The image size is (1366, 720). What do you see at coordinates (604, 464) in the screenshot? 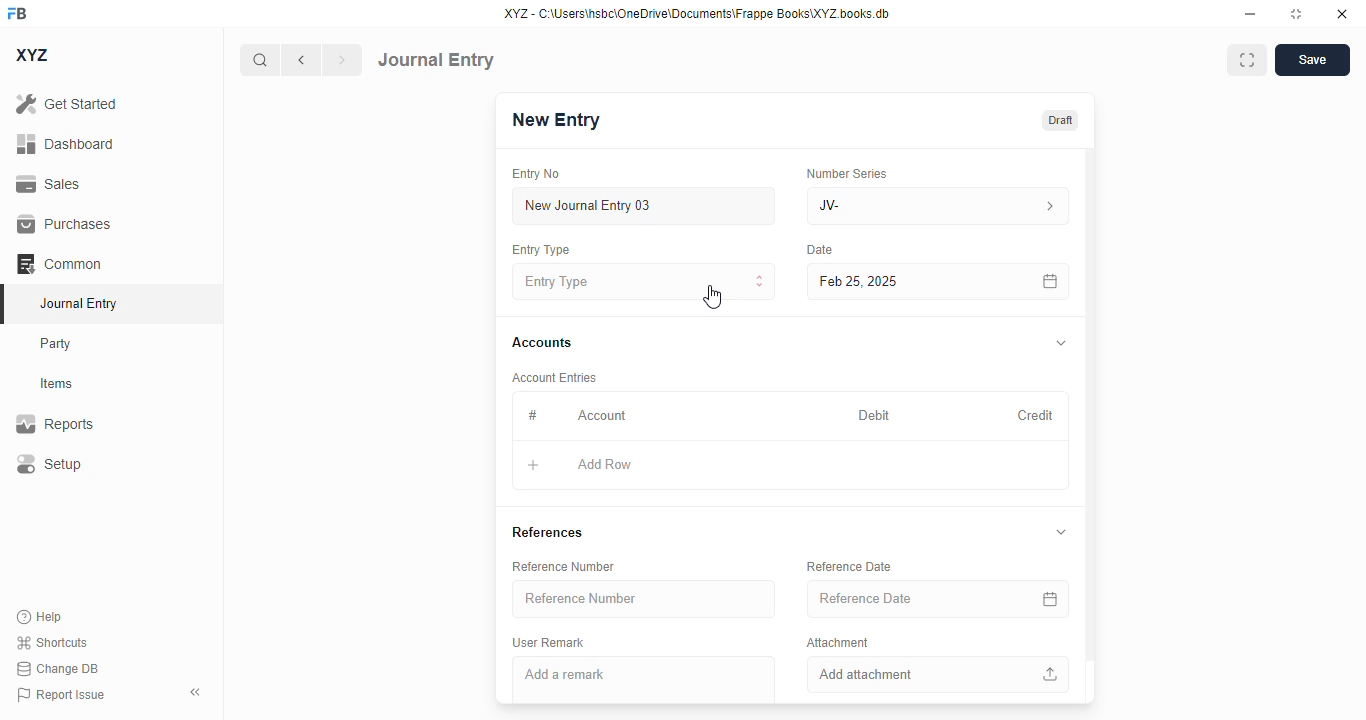
I see `add row` at bounding box center [604, 464].